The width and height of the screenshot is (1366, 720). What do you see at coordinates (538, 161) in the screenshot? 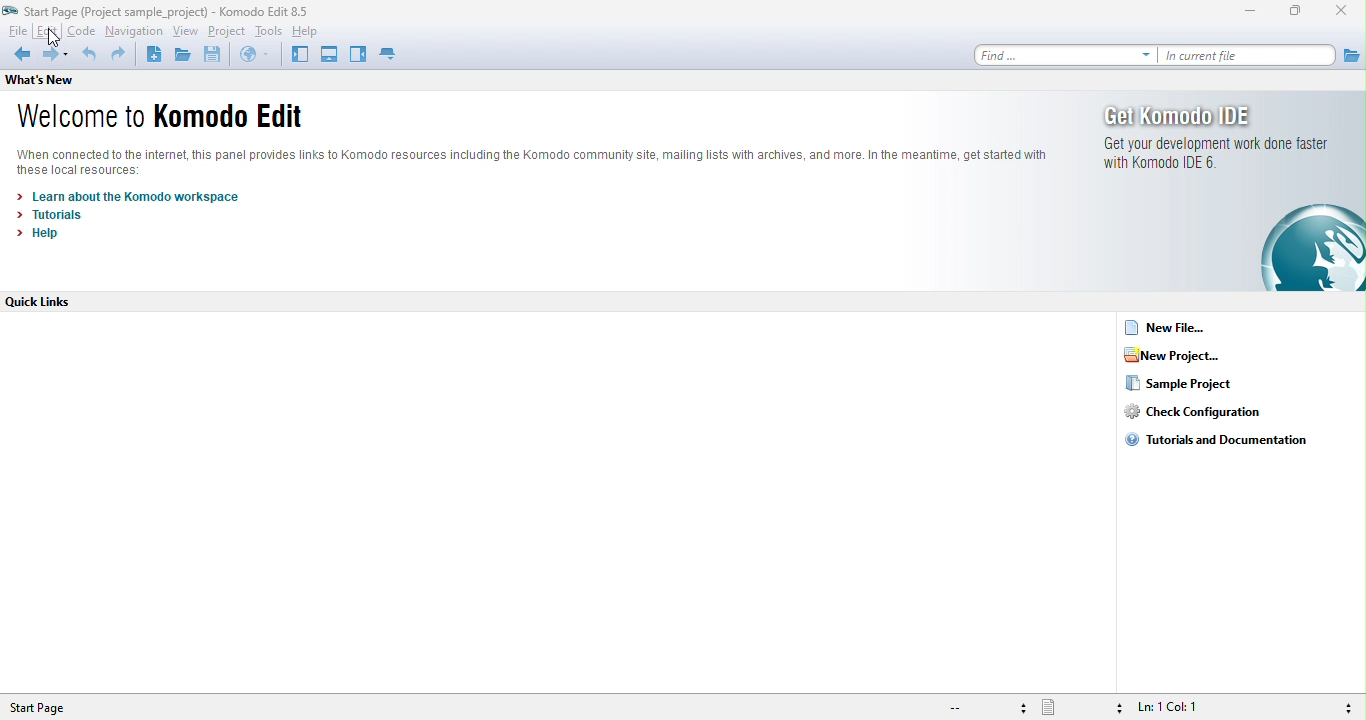
I see `komodo text` at bounding box center [538, 161].